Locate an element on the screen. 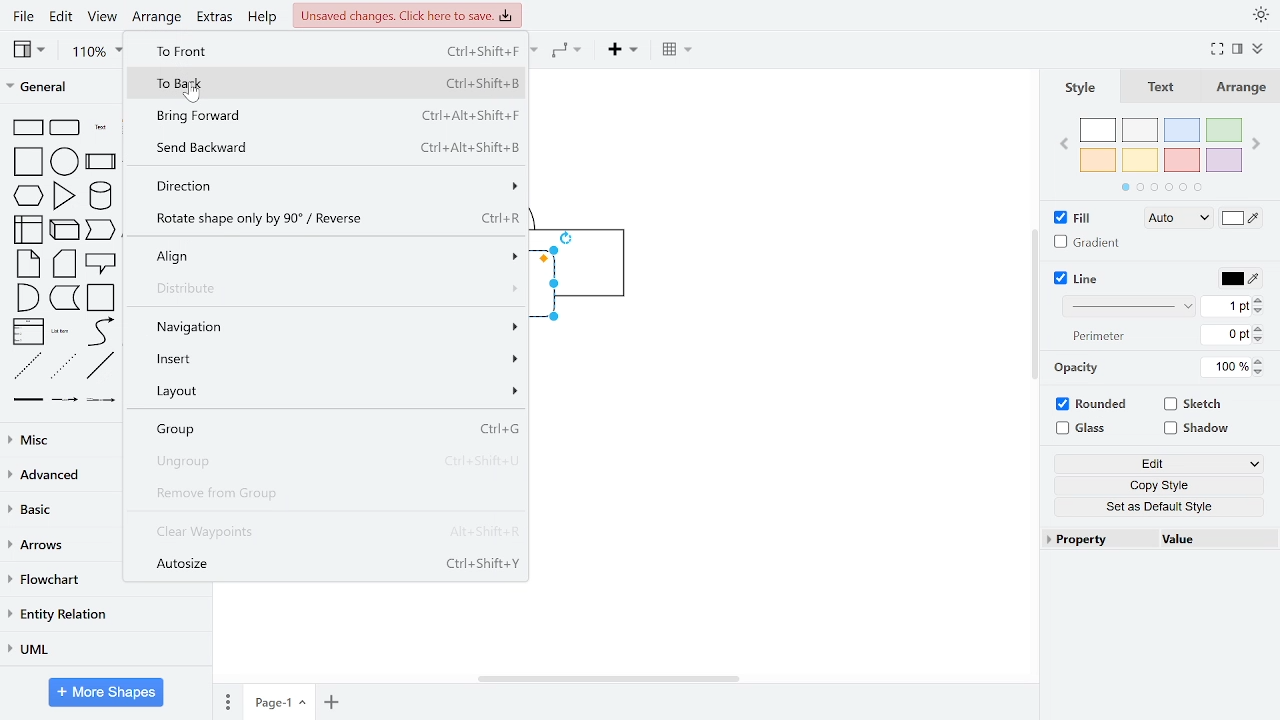 This screenshot has height=720, width=1280. gradient is located at coordinates (1086, 242).